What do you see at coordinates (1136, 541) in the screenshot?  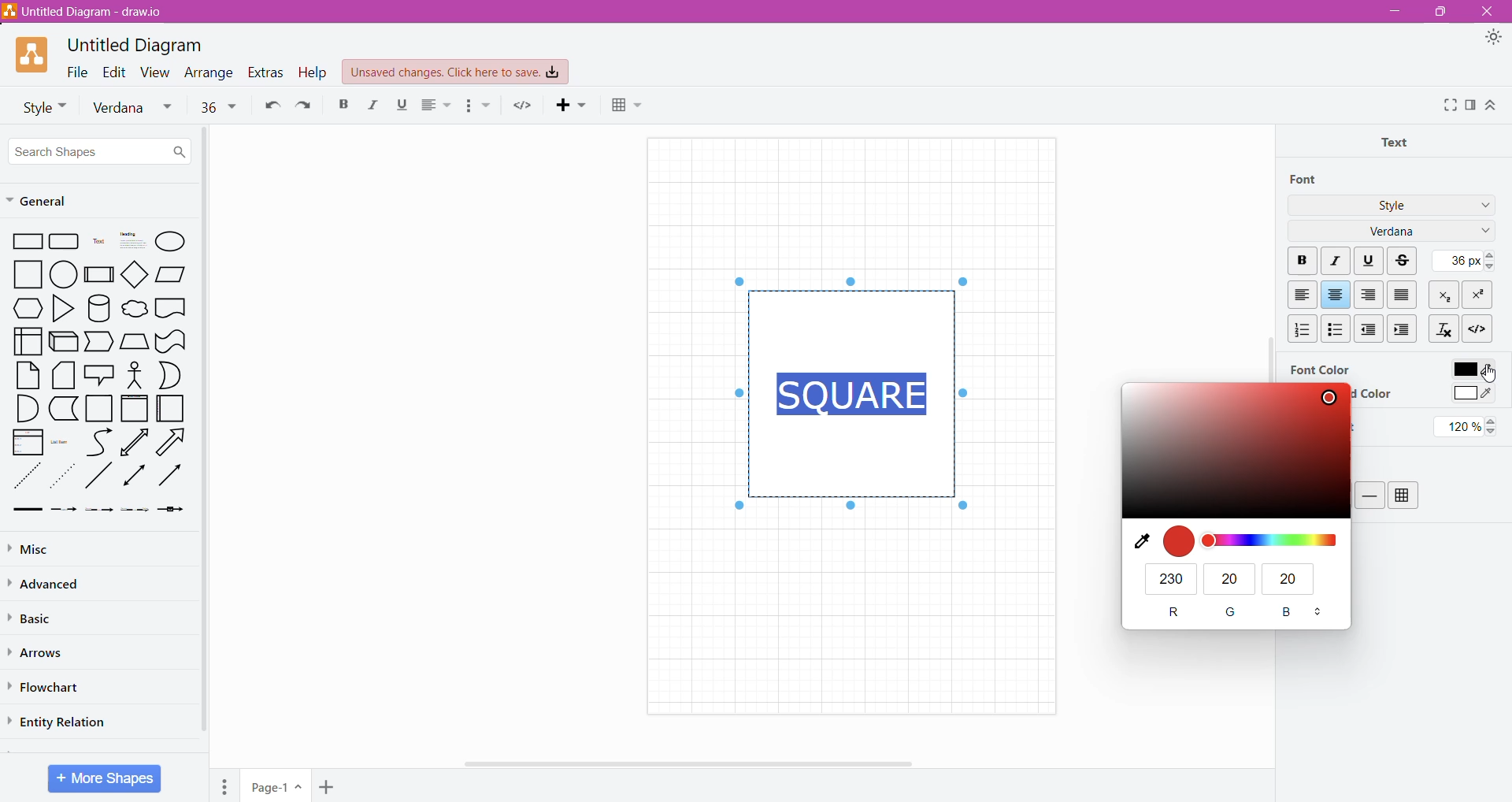 I see `dropper` at bounding box center [1136, 541].